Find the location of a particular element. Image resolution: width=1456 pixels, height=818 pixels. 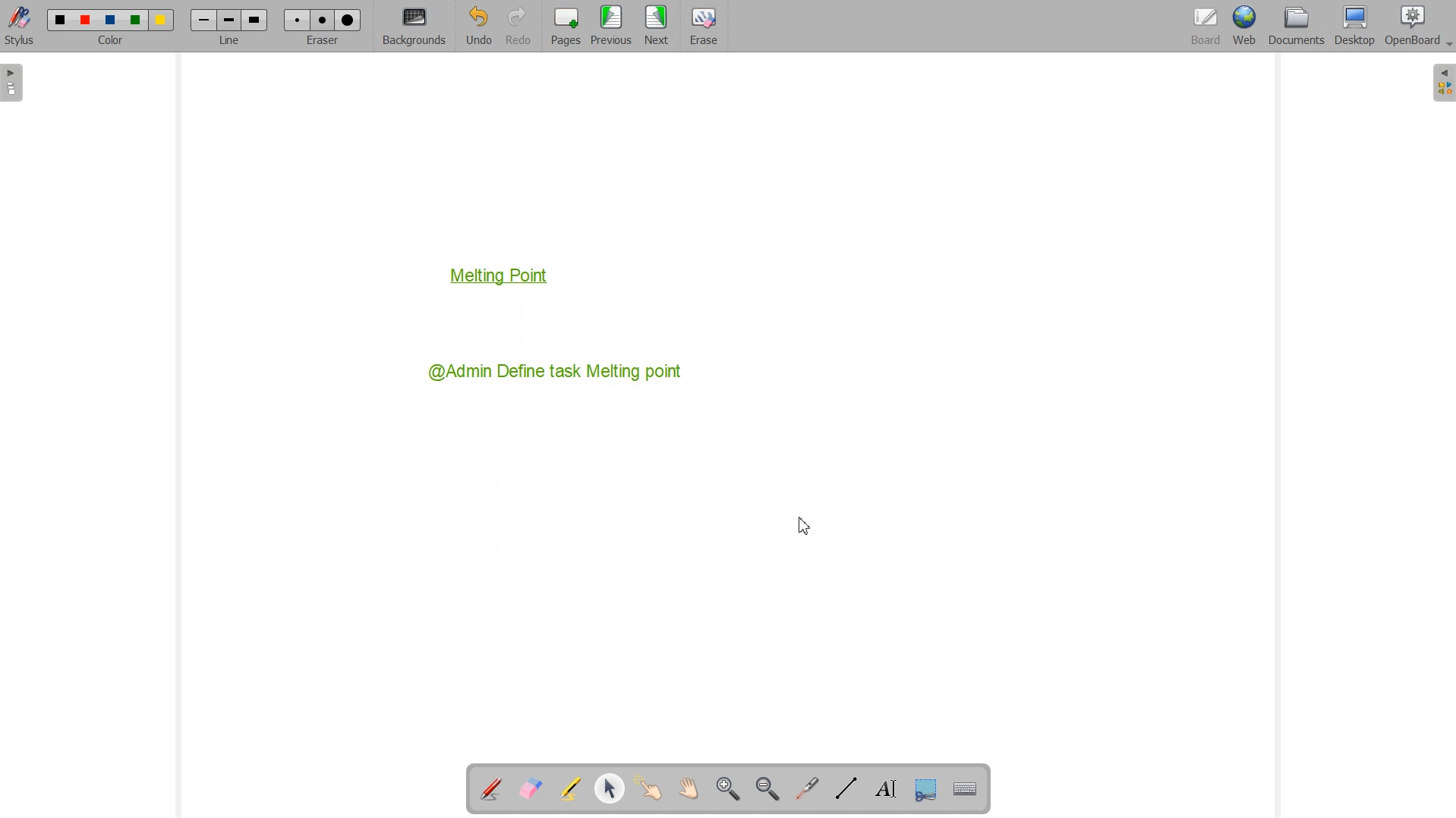

Dropdown box is located at coordinates (1447, 46).